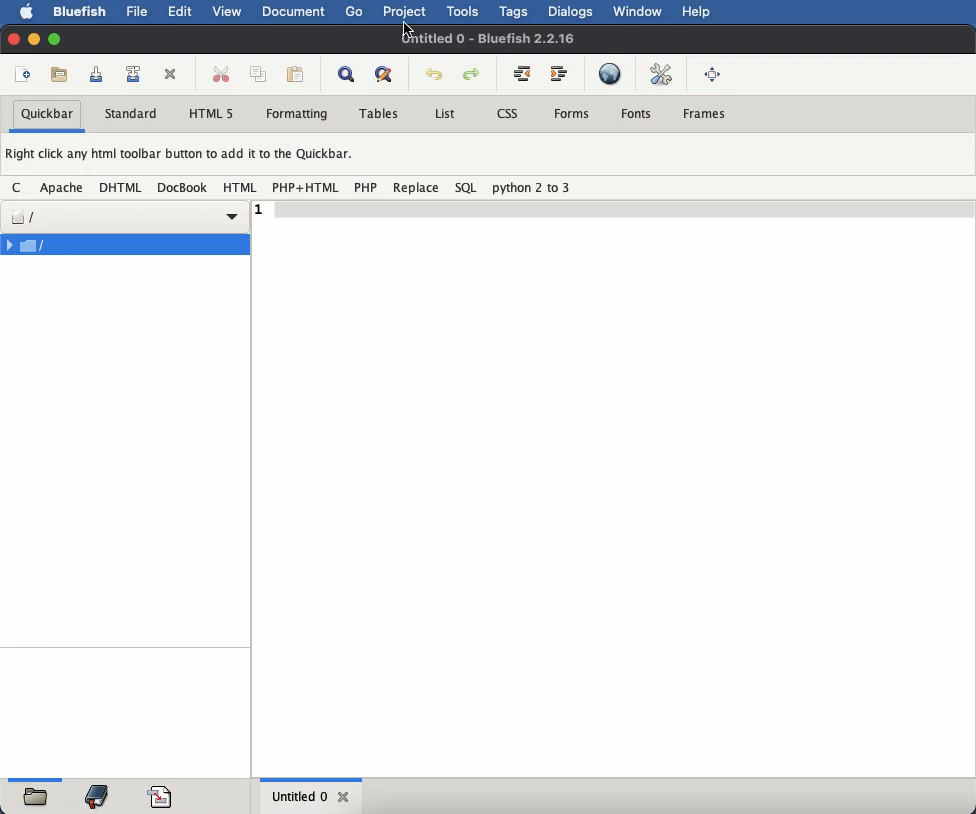  I want to click on go, so click(355, 12).